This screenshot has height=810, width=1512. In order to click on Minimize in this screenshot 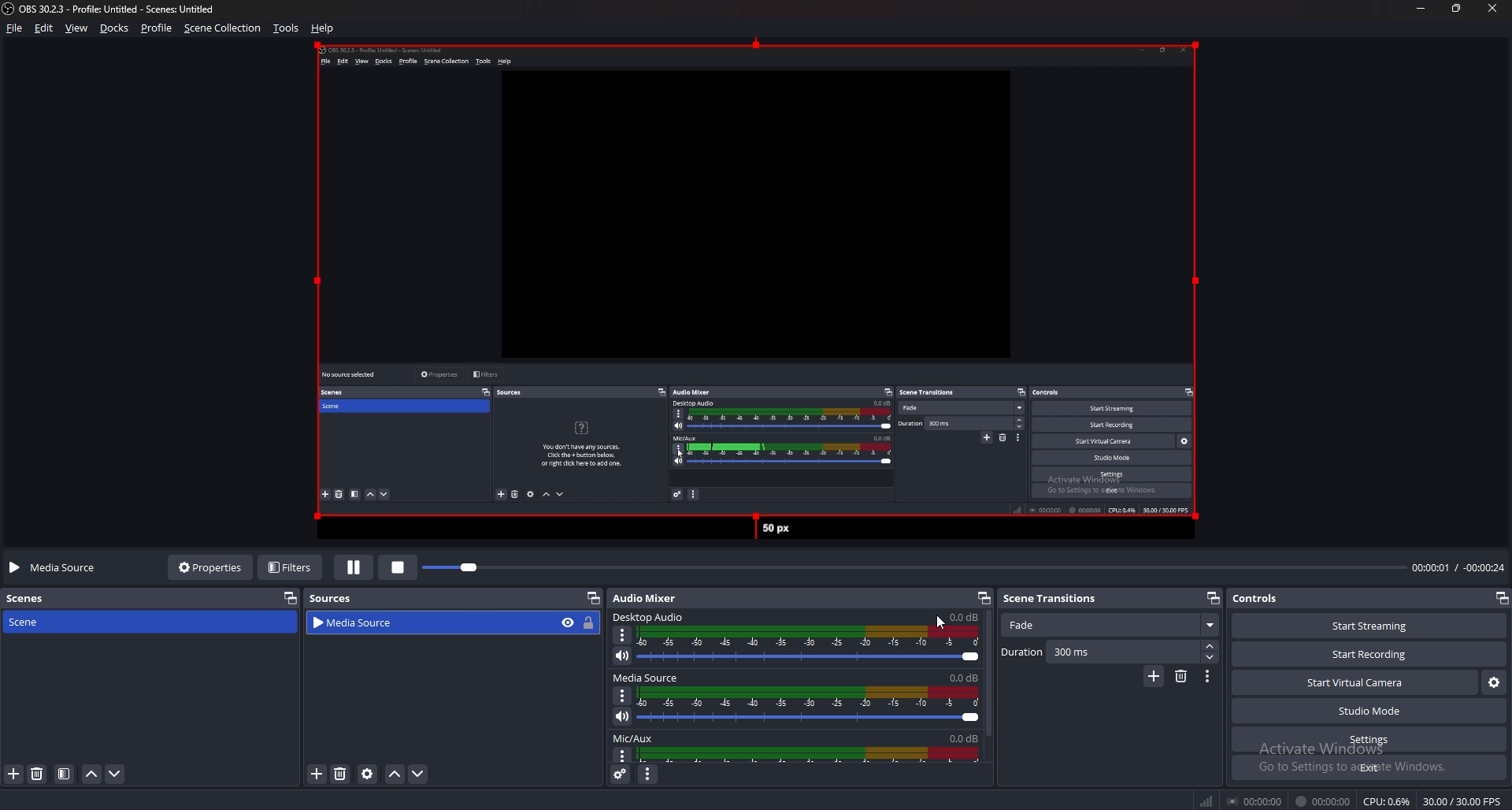, I will do `click(1420, 8)`.